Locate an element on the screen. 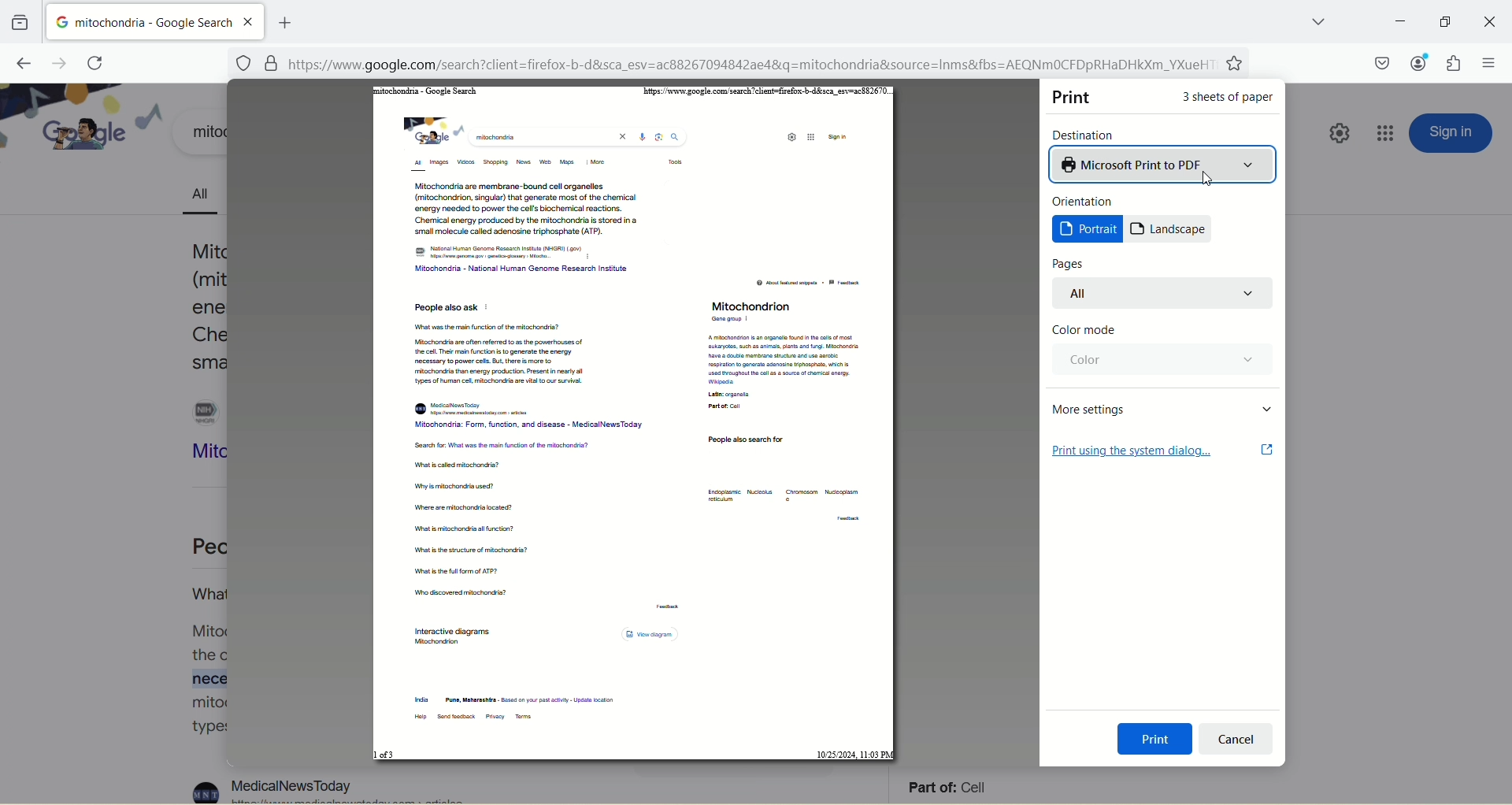  list all tabs is located at coordinates (1306, 20).